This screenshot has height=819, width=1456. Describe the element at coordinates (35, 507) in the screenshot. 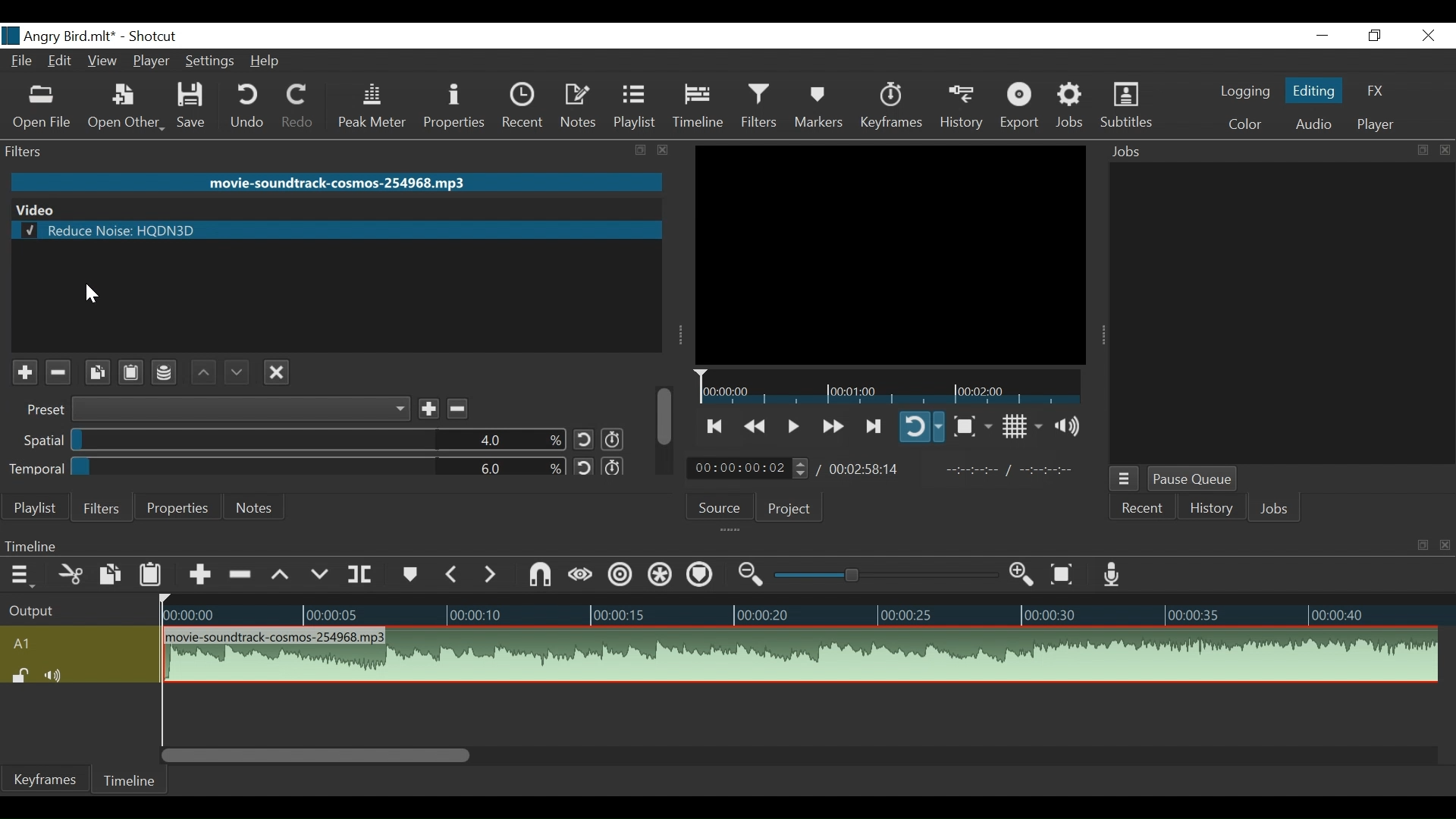

I see `Playlist menu` at that location.